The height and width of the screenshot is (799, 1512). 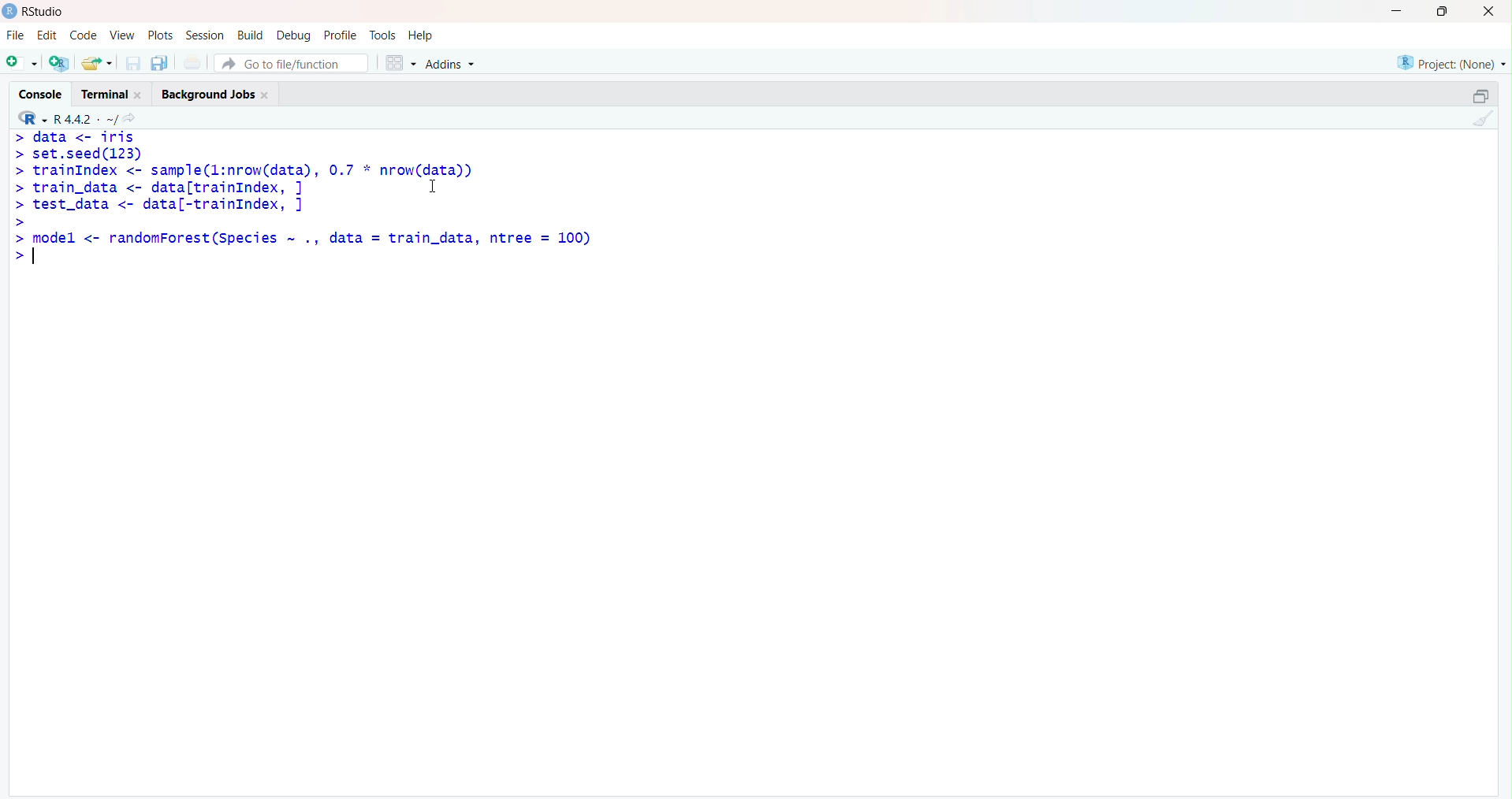 What do you see at coordinates (1441, 12) in the screenshot?
I see `Maximize` at bounding box center [1441, 12].